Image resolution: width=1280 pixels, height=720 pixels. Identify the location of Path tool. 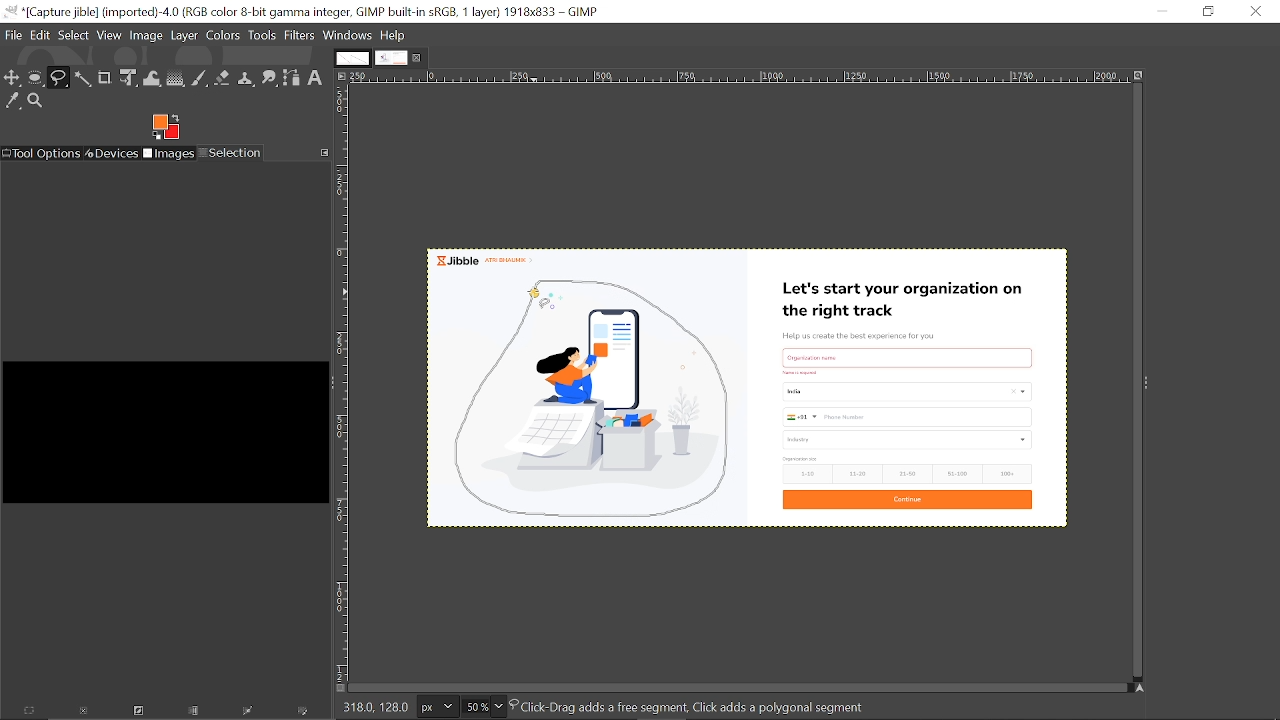
(293, 78).